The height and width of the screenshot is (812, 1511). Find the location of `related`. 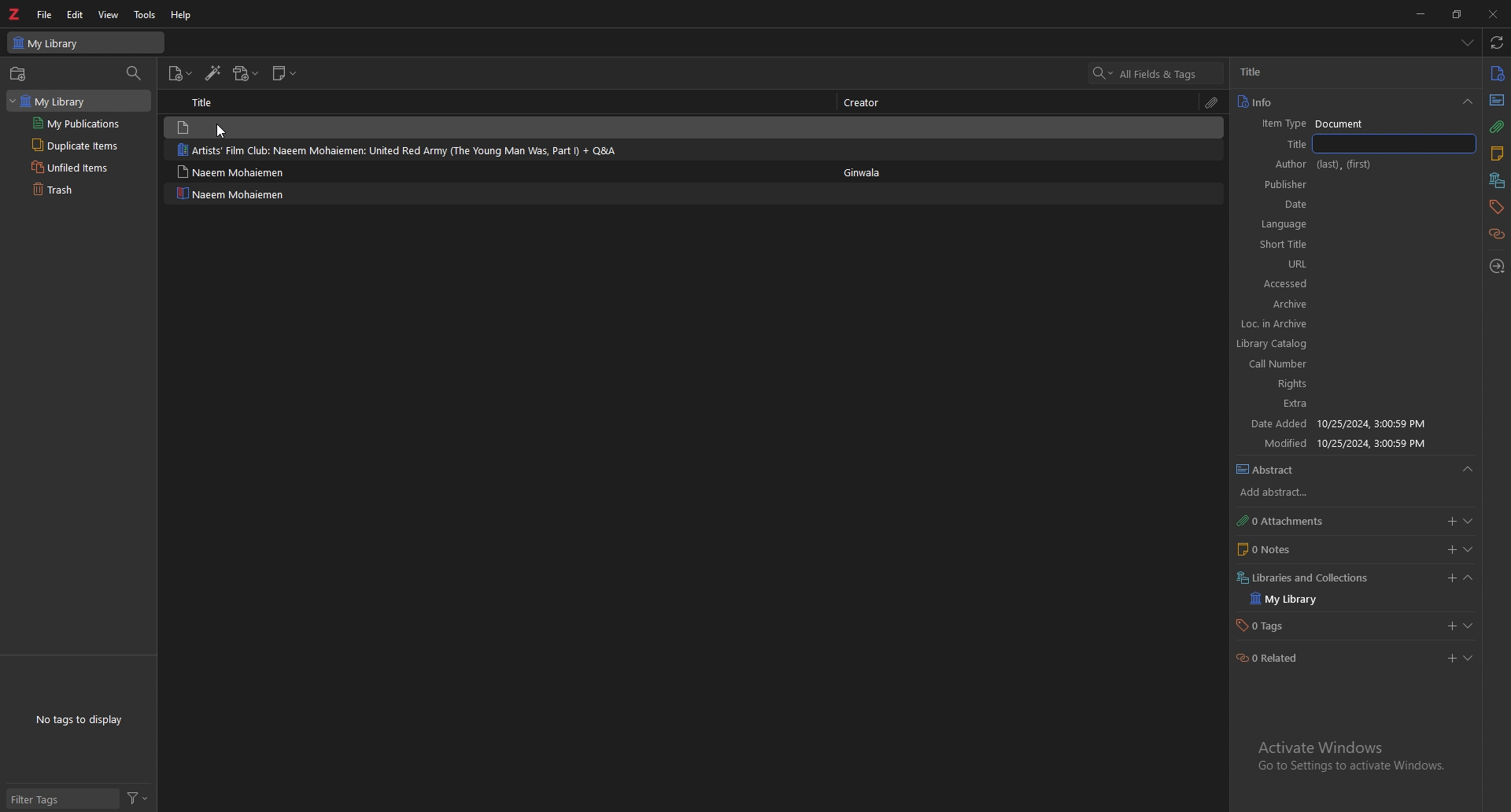

related is located at coordinates (1498, 233).